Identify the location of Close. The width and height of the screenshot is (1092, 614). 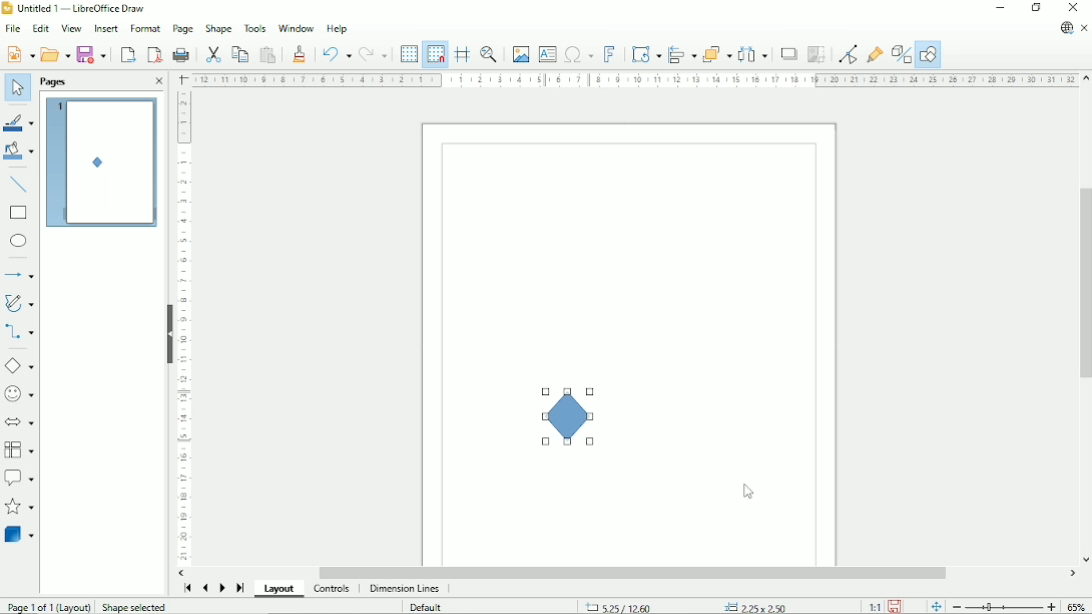
(1071, 7).